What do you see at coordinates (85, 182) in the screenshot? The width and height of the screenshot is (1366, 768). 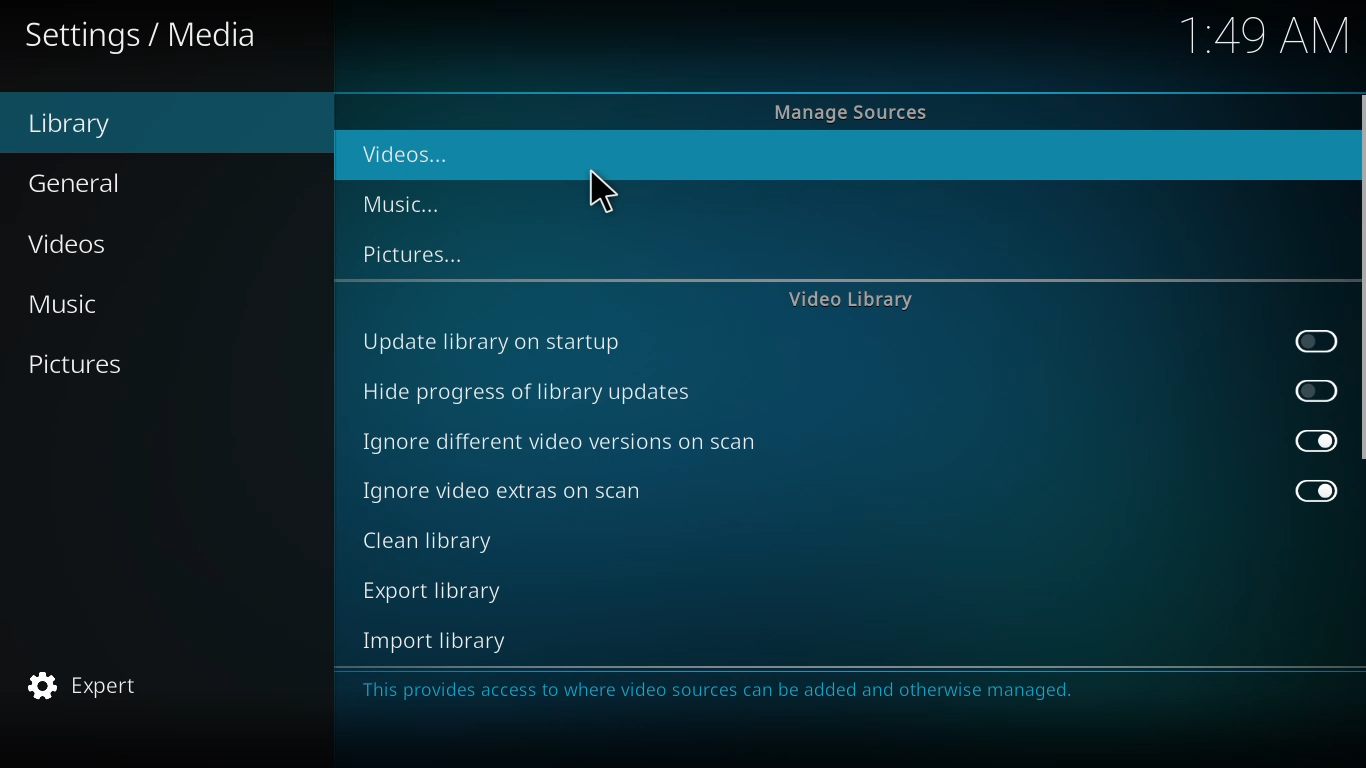 I see `general` at bounding box center [85, 182].